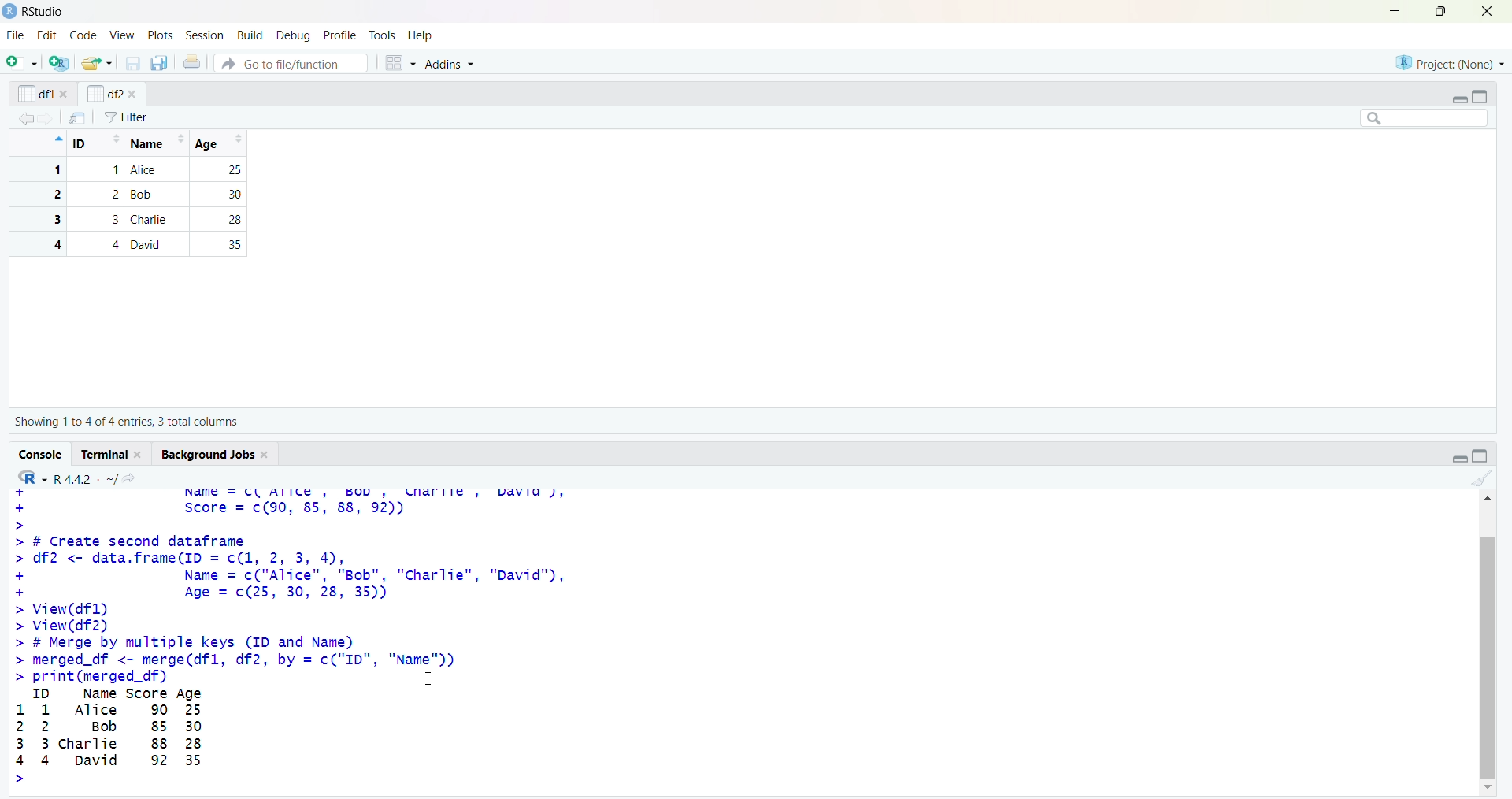  What do you see at coordinates (162, 36) in the screenshot?
I see `plots` at bounding box center [162, 36].